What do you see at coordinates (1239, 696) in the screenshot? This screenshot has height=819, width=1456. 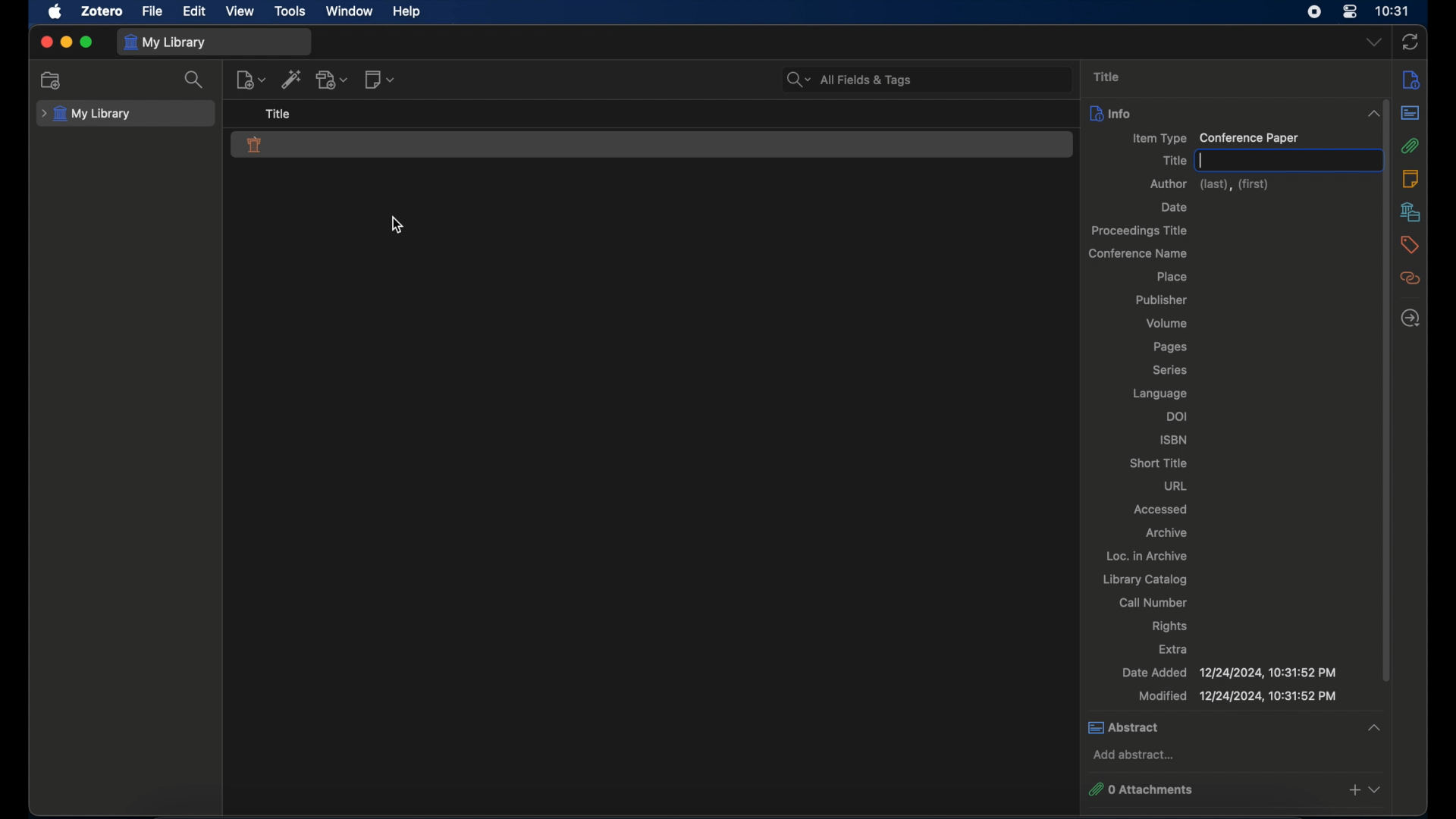 I see `modified` at bounding box center [1239, 696].